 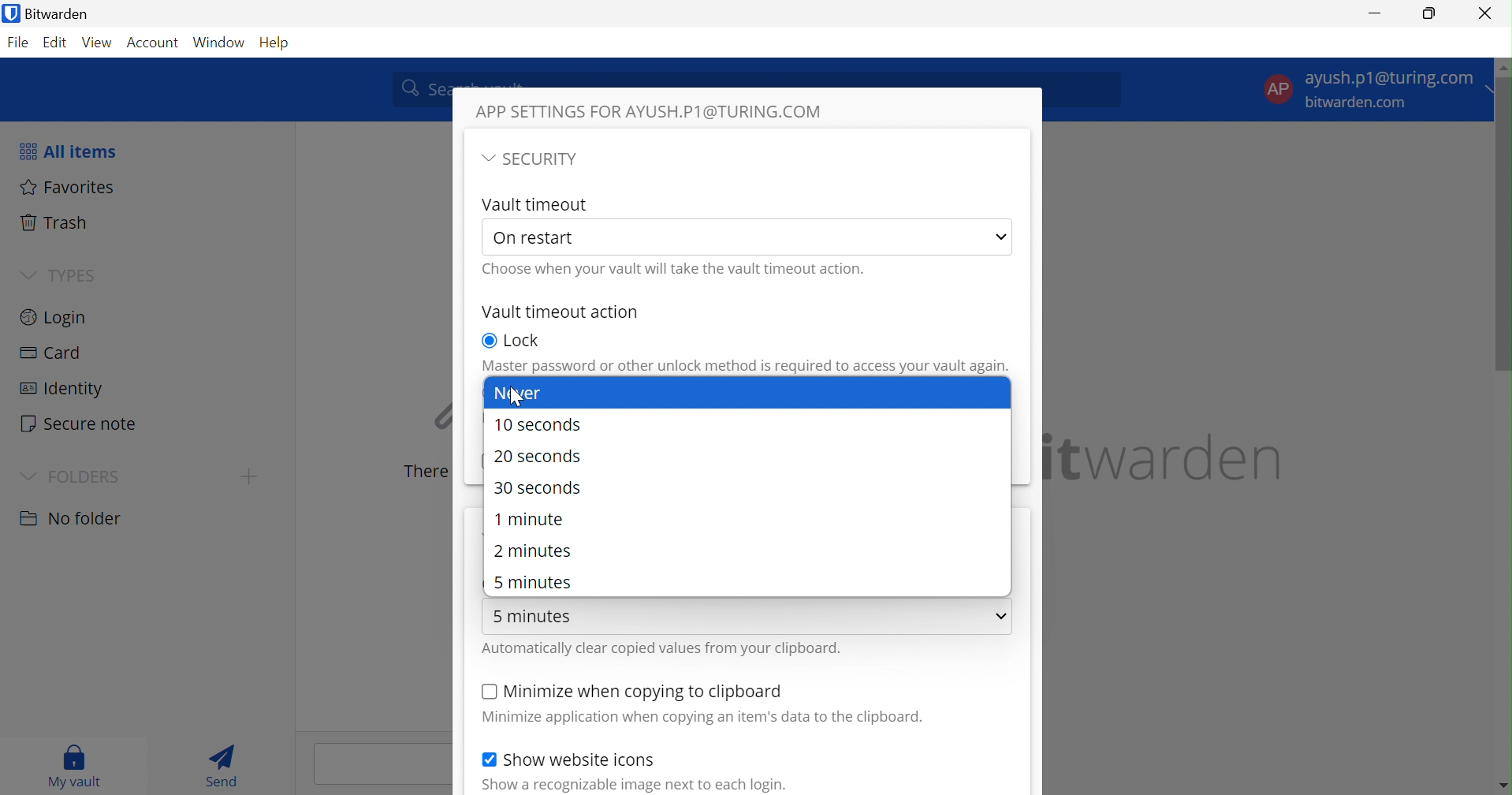 I want to click on Window, so click(x=220, y=41).